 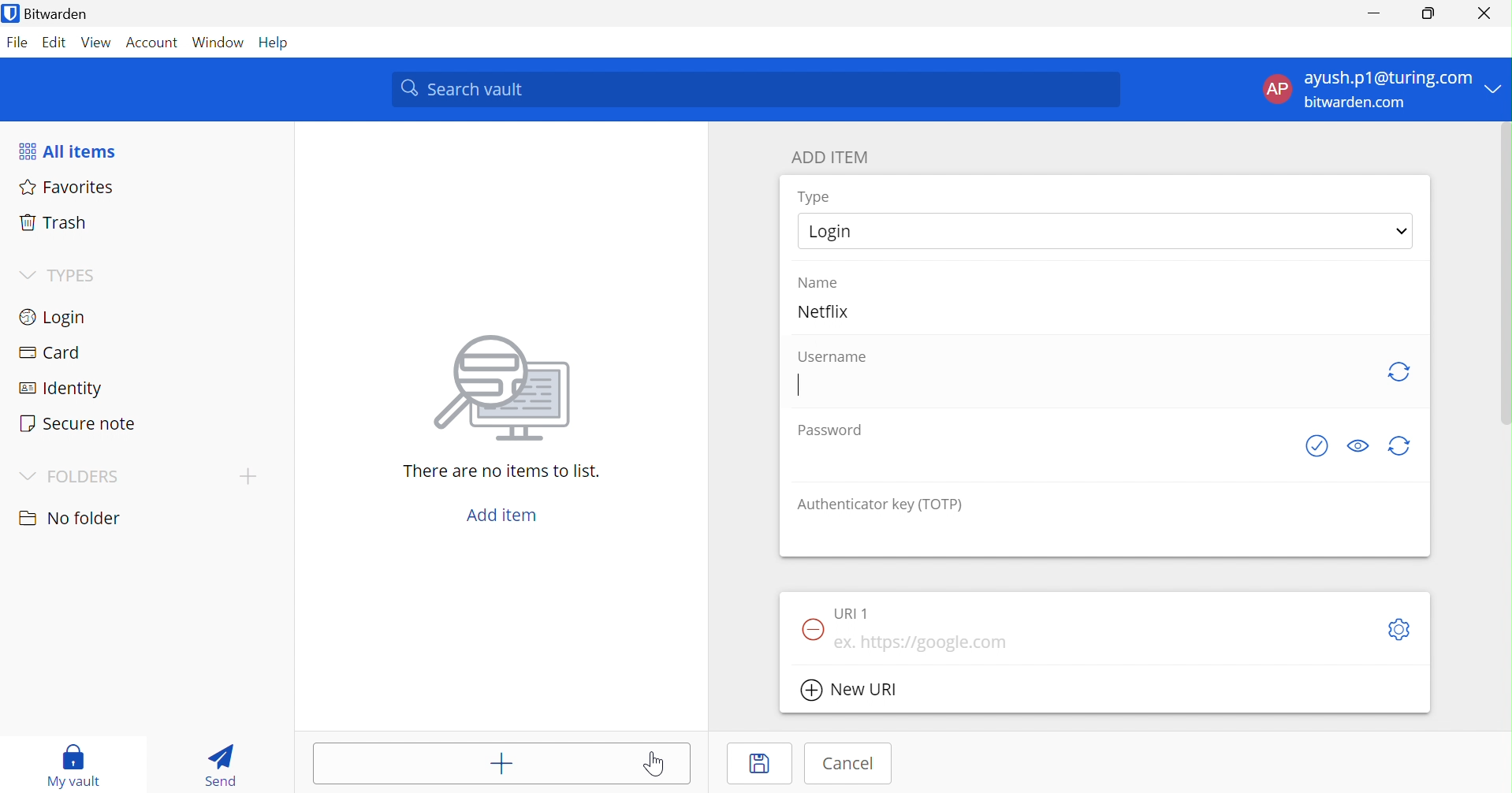 I want to click on Add folder, so click(x=248, y=477).